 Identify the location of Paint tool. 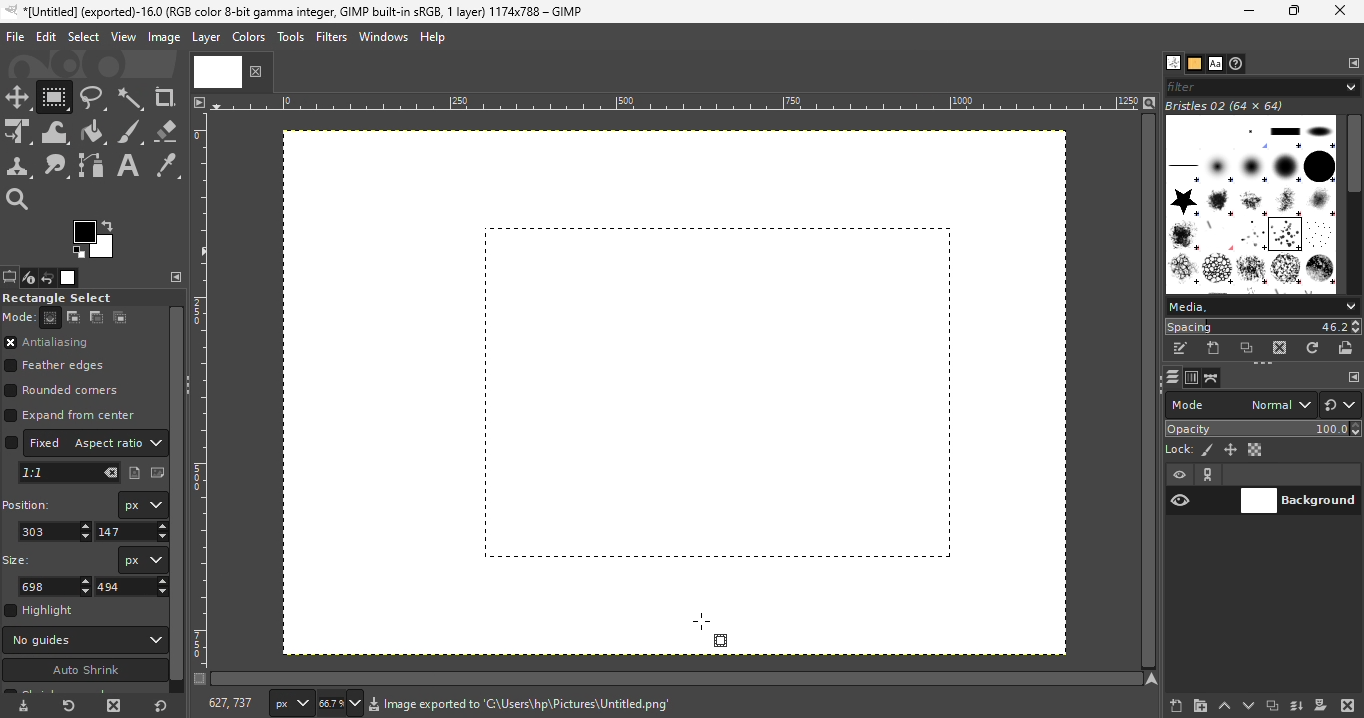
(97, 132).